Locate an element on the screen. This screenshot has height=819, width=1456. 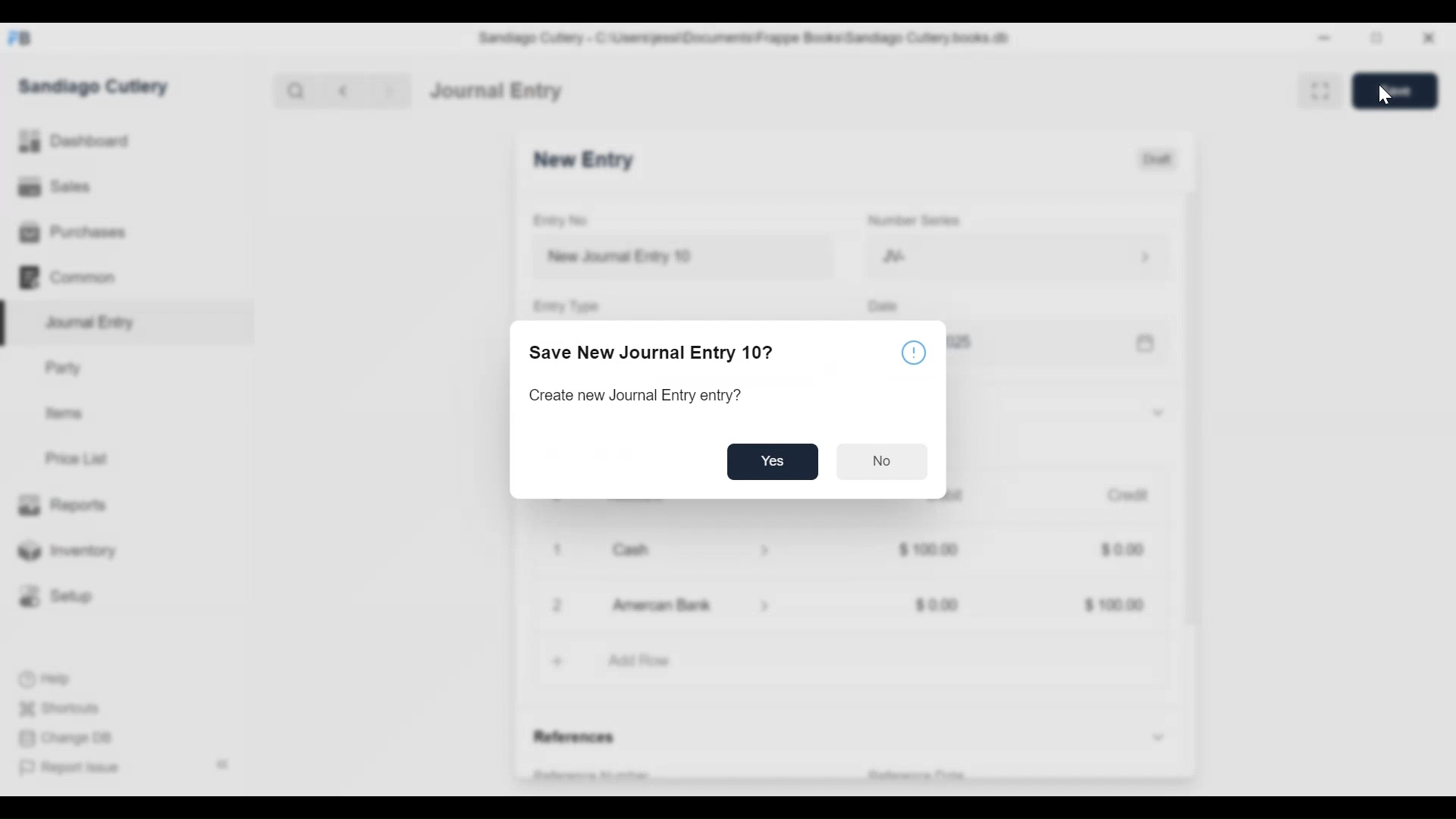
Save New Journal Entry 10? is located at coordinates (651, 352).